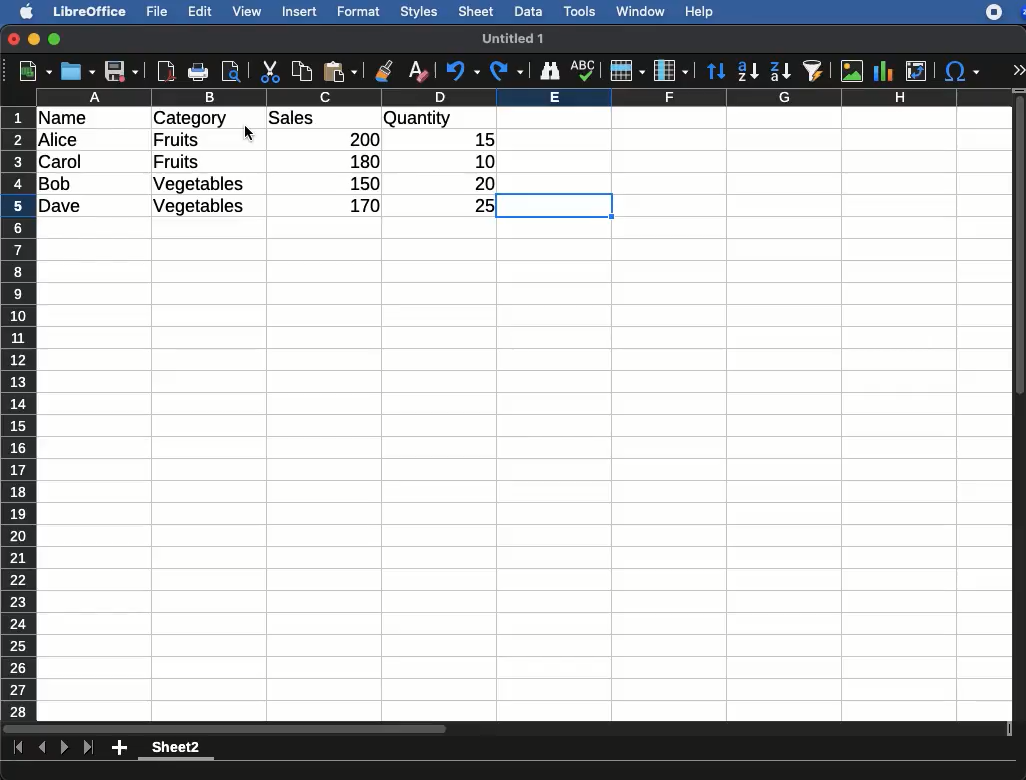 This screenshot has height=780, width=1026. I want to click on cell selection, so click(557, 208).